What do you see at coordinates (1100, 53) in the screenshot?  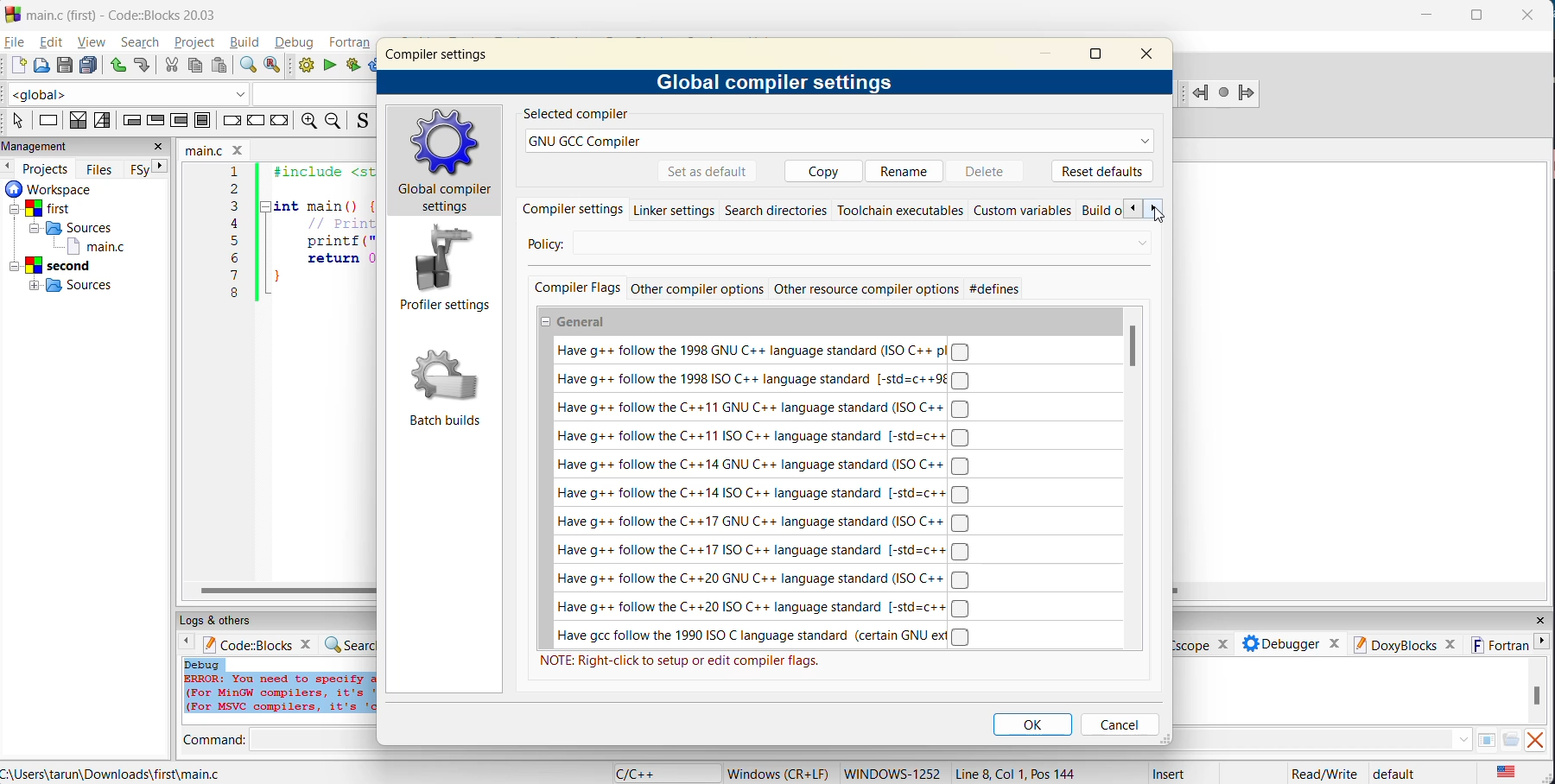 I see `maximize` at bounding box center [1100, 53].